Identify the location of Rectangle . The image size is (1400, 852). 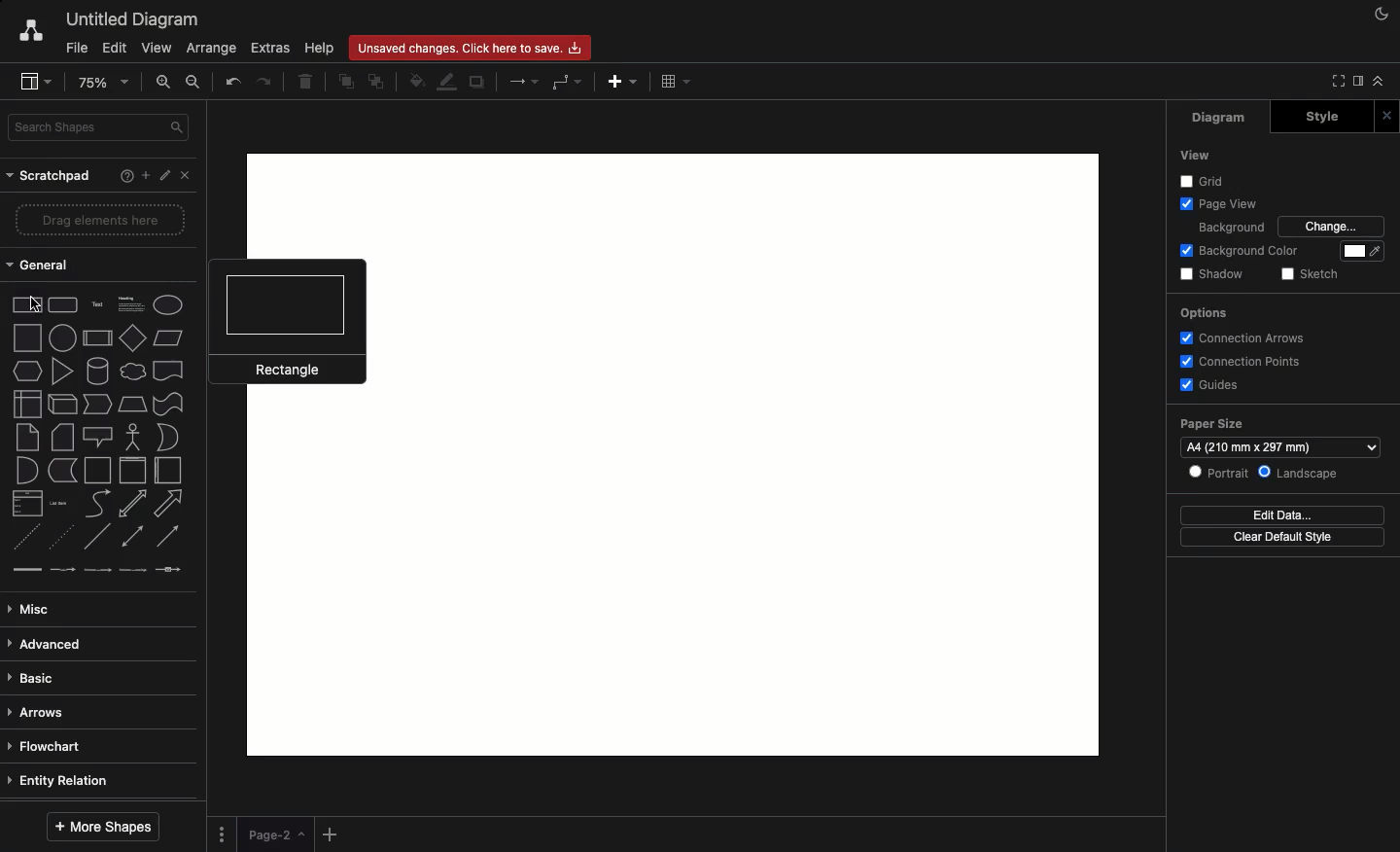
(27, 306).